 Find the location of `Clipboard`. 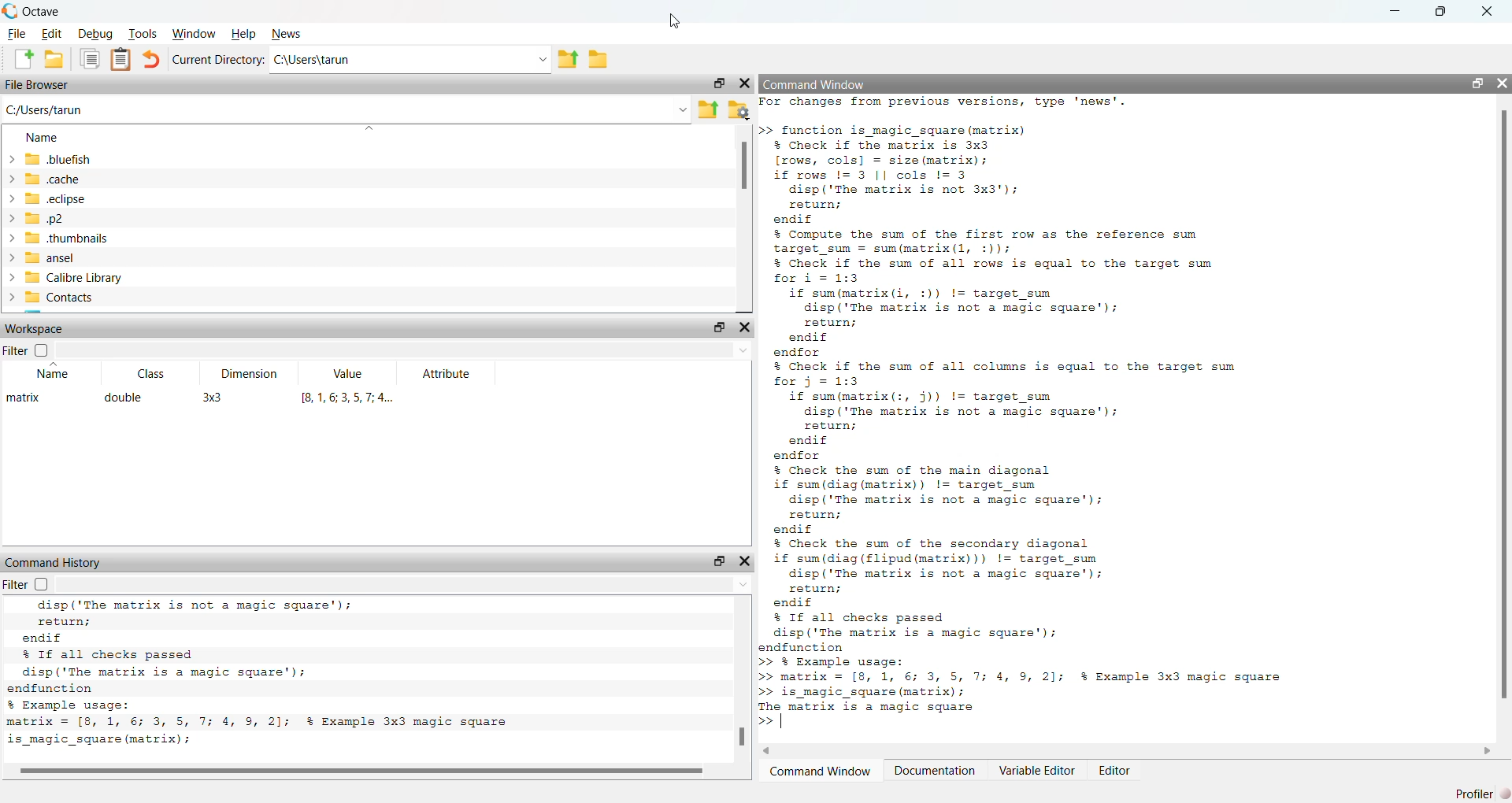

Clipboard is located at coordinates (120, 61).